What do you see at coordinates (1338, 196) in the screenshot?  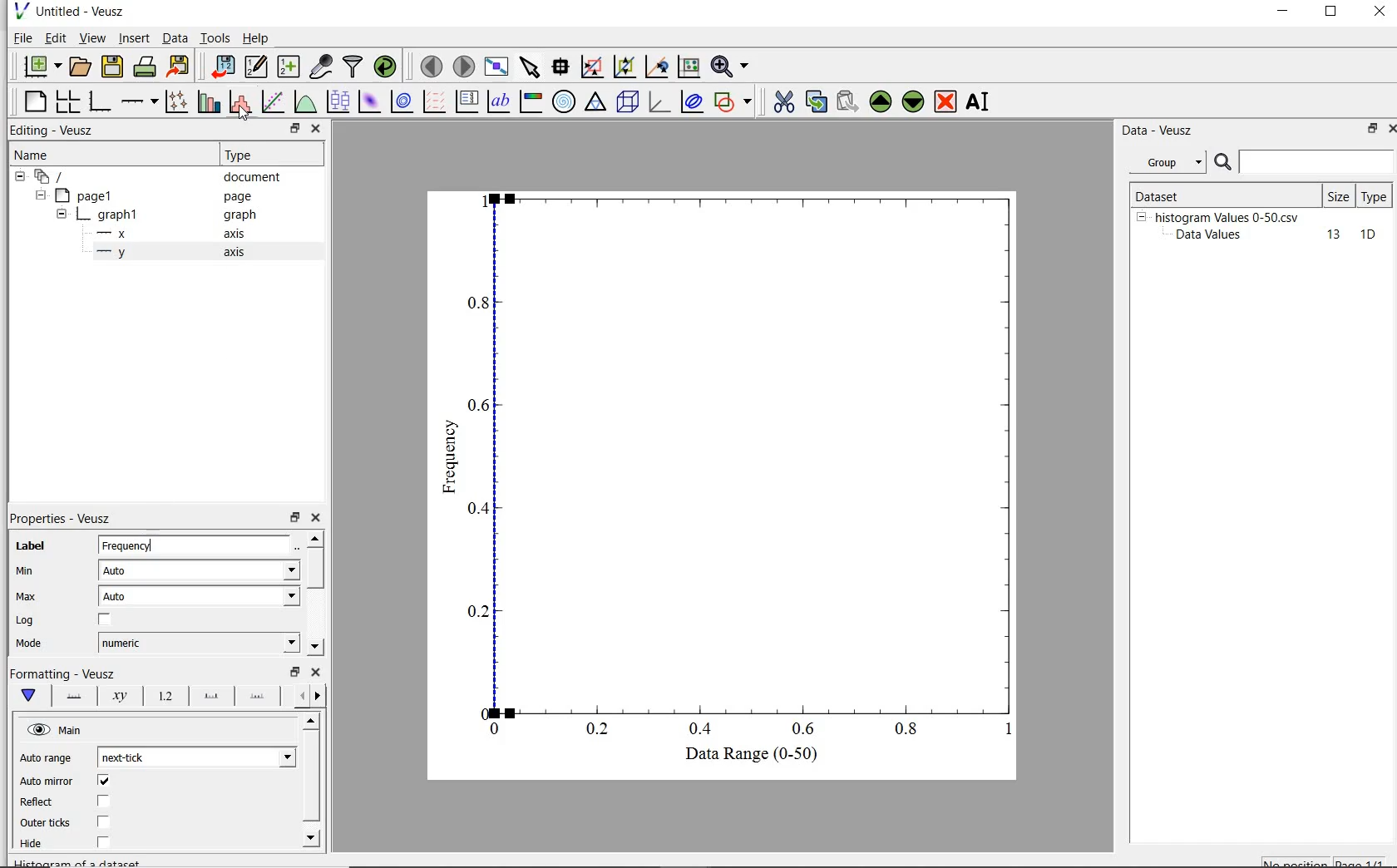 I see `size` at bounding box center [1338, 196].